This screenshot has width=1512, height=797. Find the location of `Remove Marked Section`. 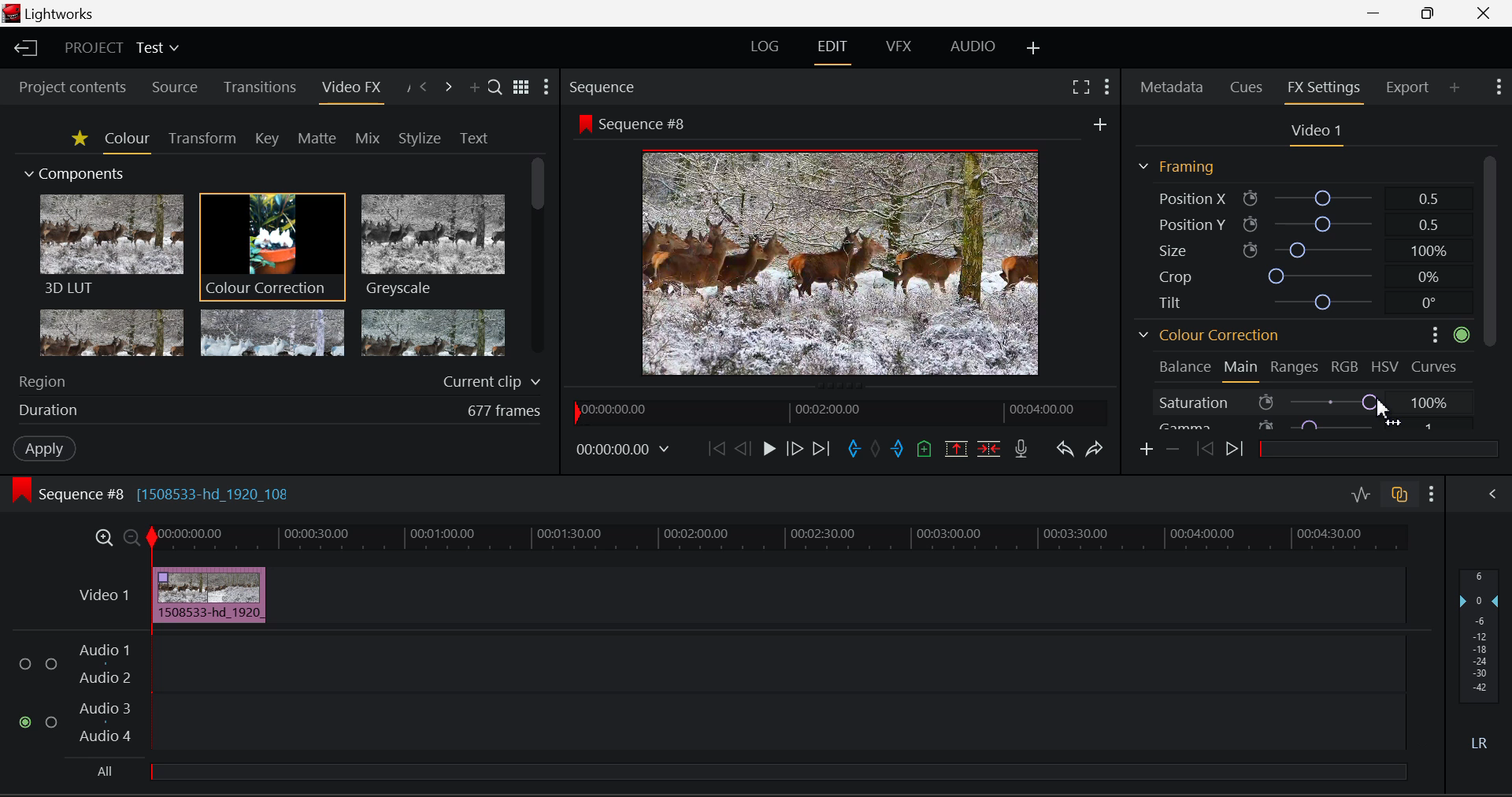

Remove Marked Section is located at coordinates (955, 449).